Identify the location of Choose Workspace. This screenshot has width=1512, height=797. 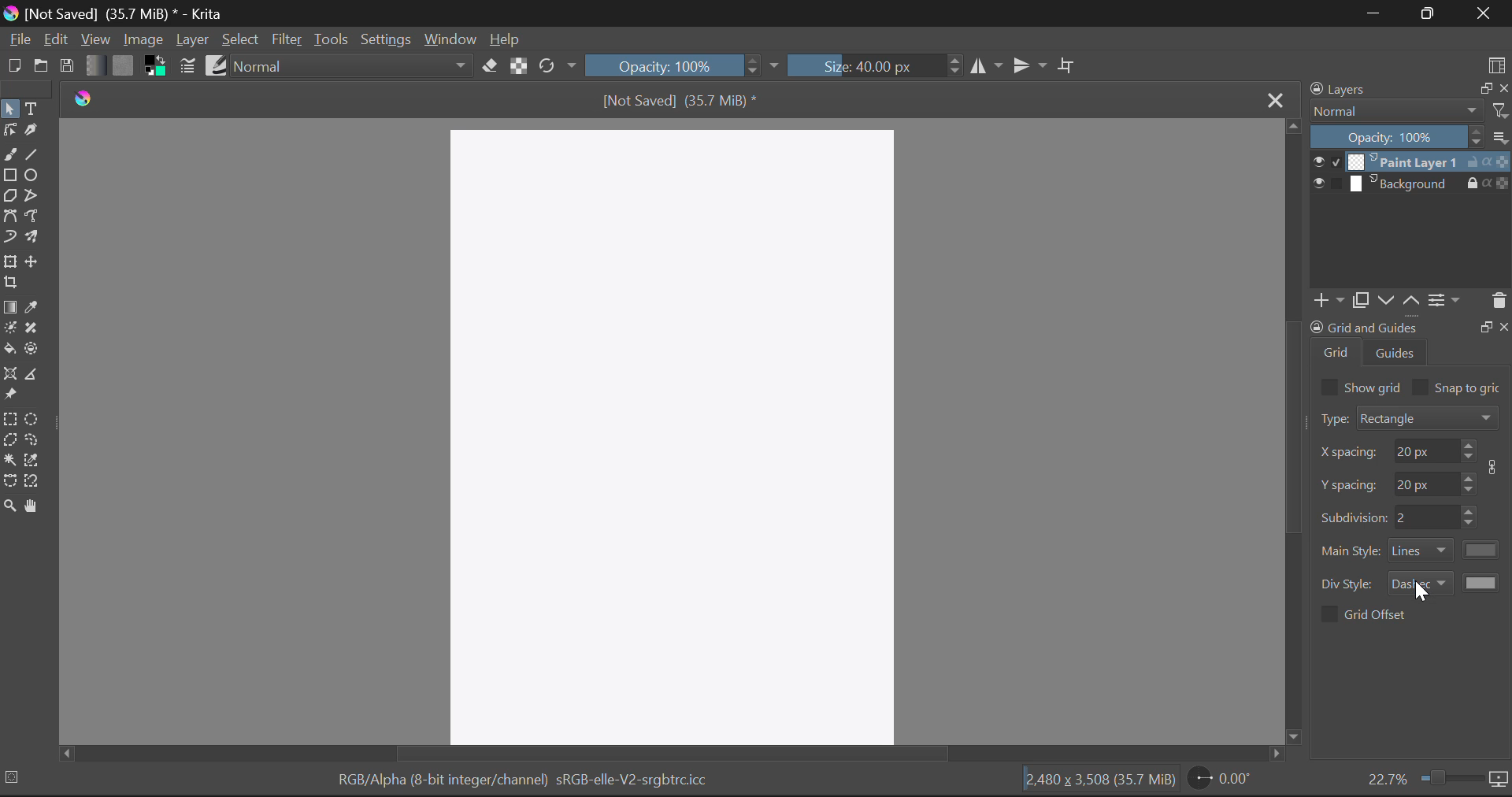
(1496, 64).